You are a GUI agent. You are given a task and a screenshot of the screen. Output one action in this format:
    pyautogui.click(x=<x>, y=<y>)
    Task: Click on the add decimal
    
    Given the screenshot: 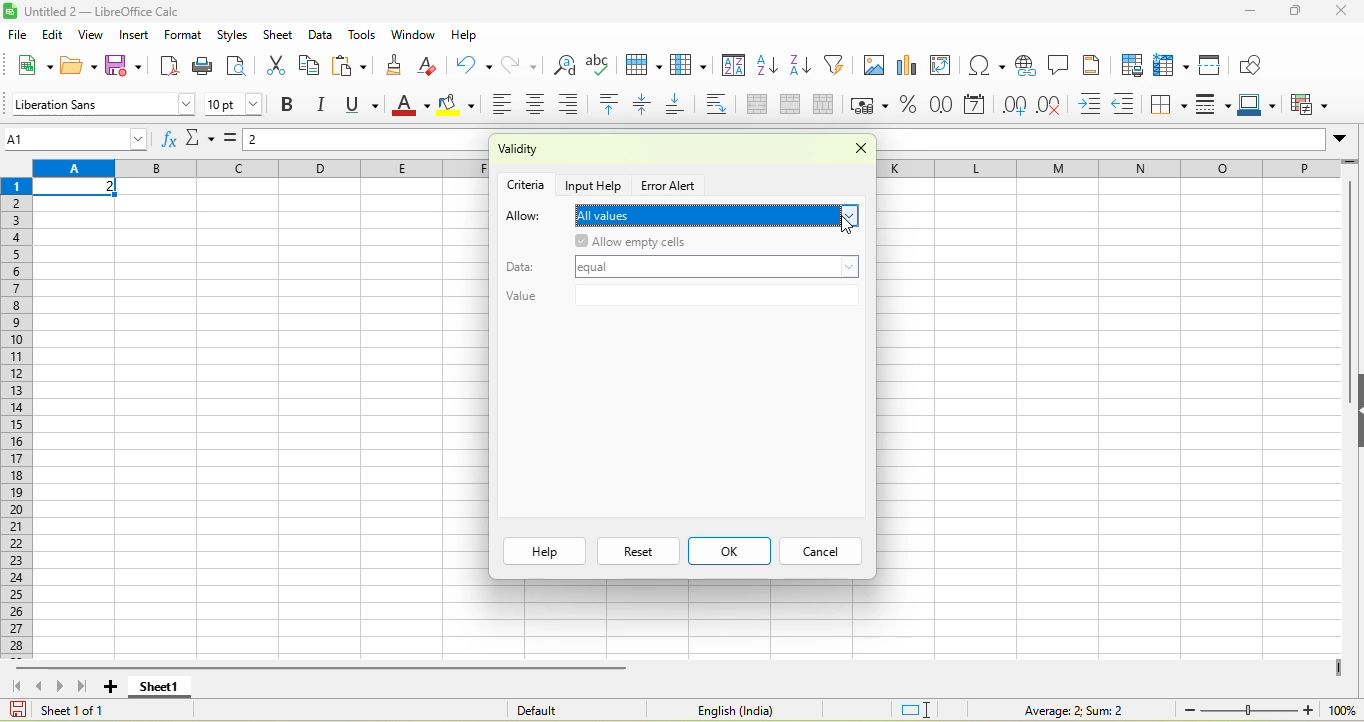 What is the action you would take?
    pyautogui.click(x=1015, y=105)
    